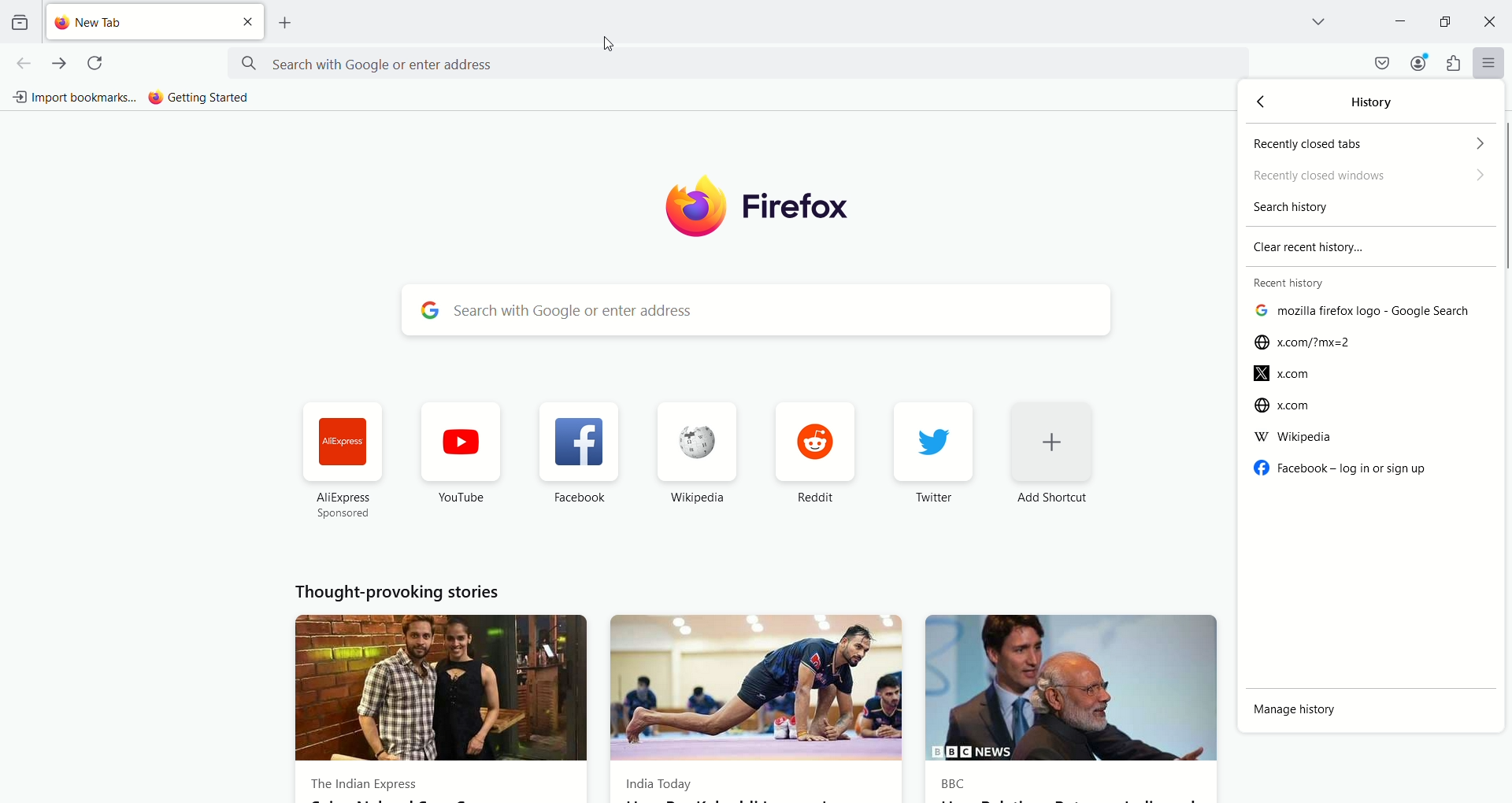 The height and width of the screenshot is (803, 1512). I want to click on x.com/?mx=2, so click(1302, 342).